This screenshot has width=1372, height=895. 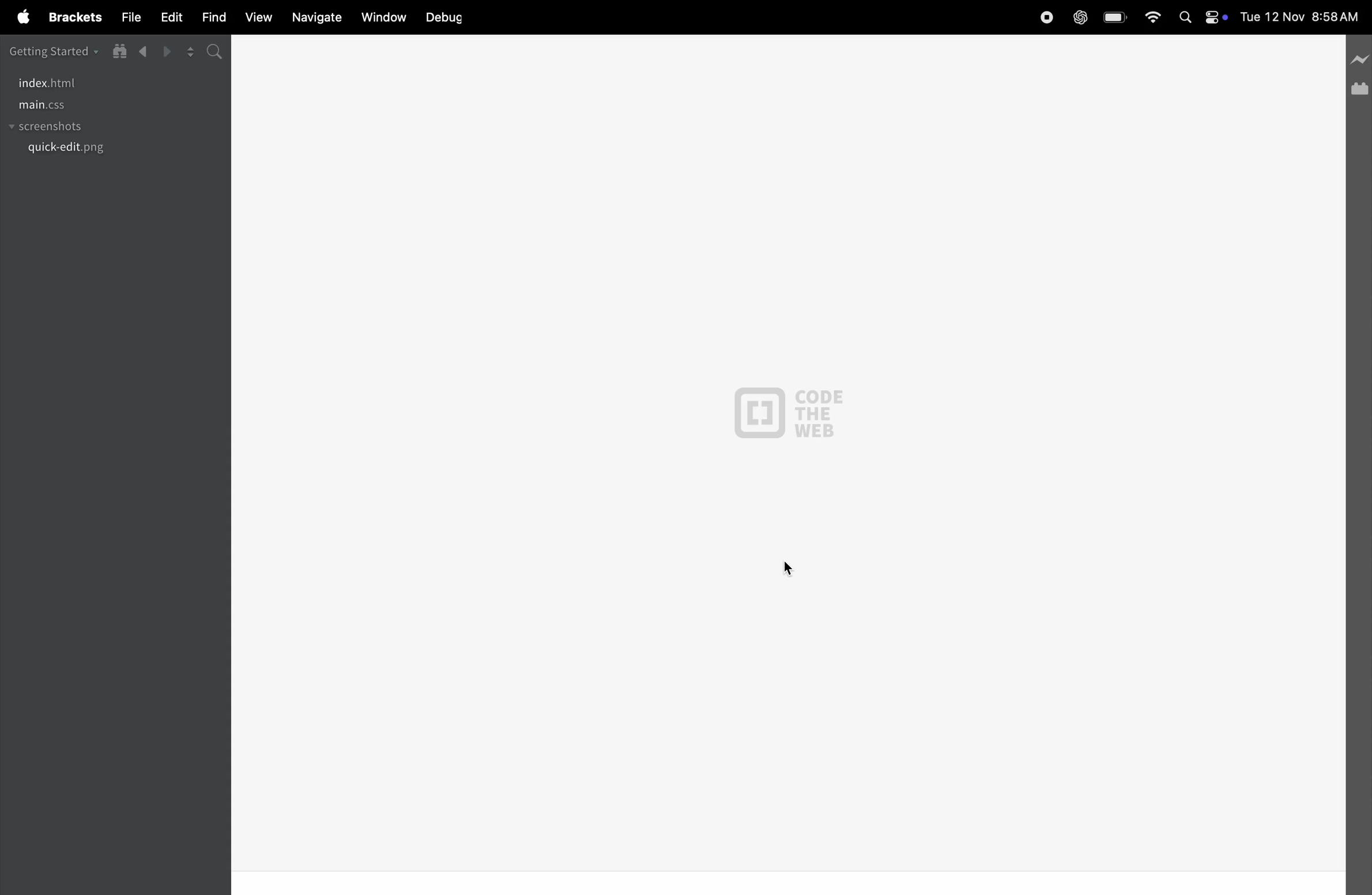 I want to click on edit, so click(x=169, y=18).